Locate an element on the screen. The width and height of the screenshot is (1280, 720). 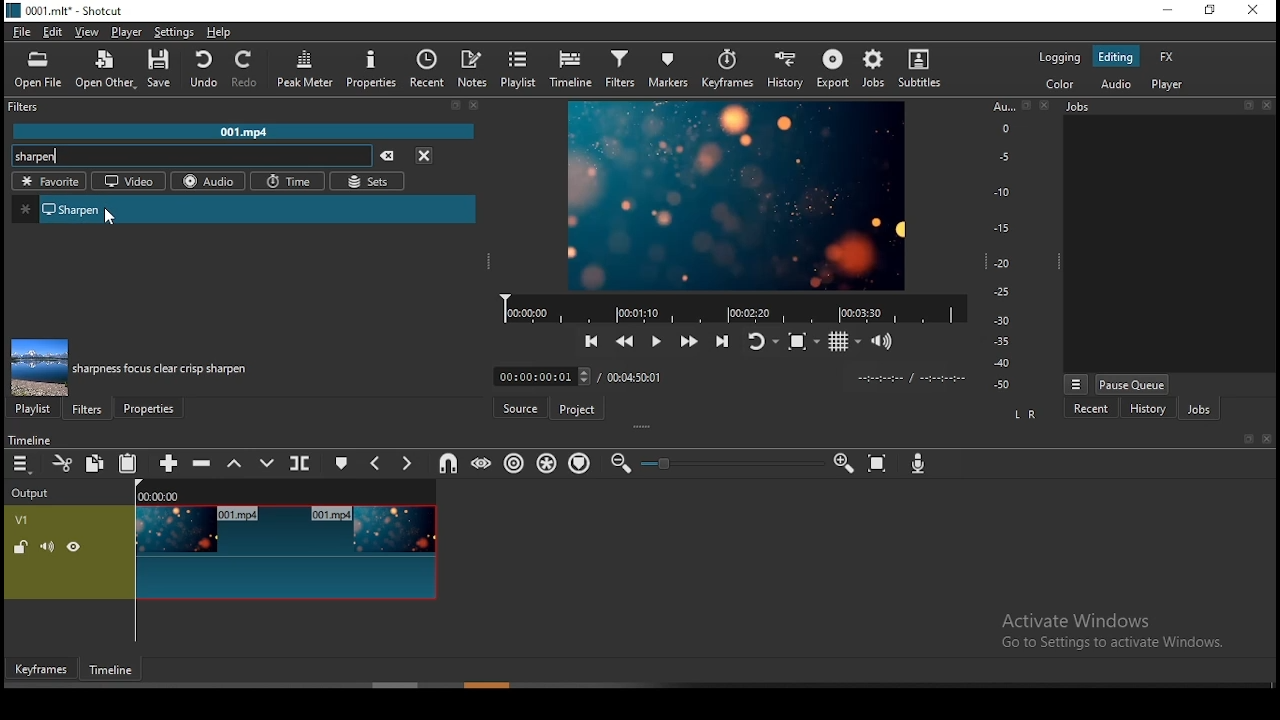
toggle player looping is located at coordinates (758, 338).